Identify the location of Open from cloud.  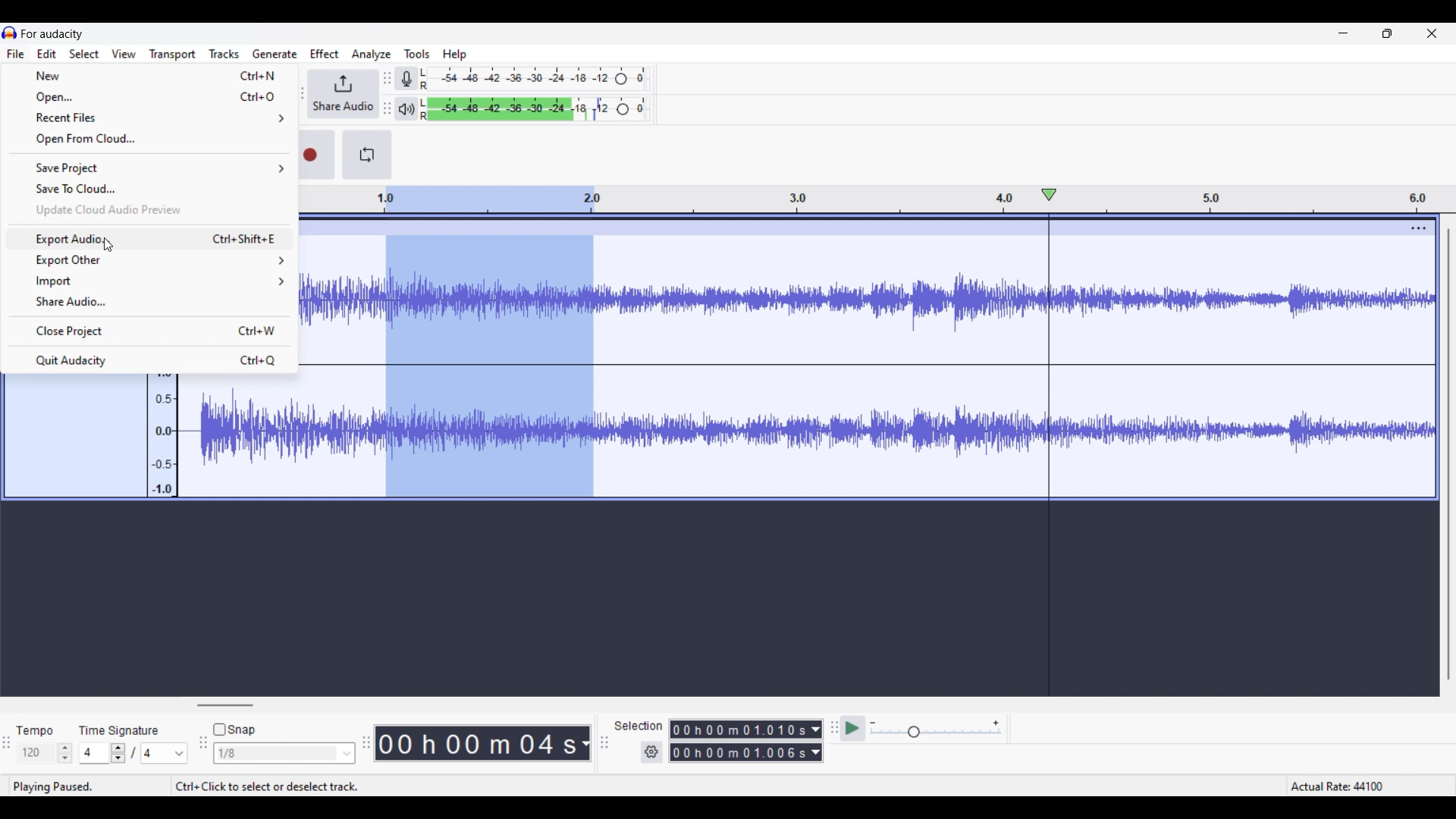
(149, 140).